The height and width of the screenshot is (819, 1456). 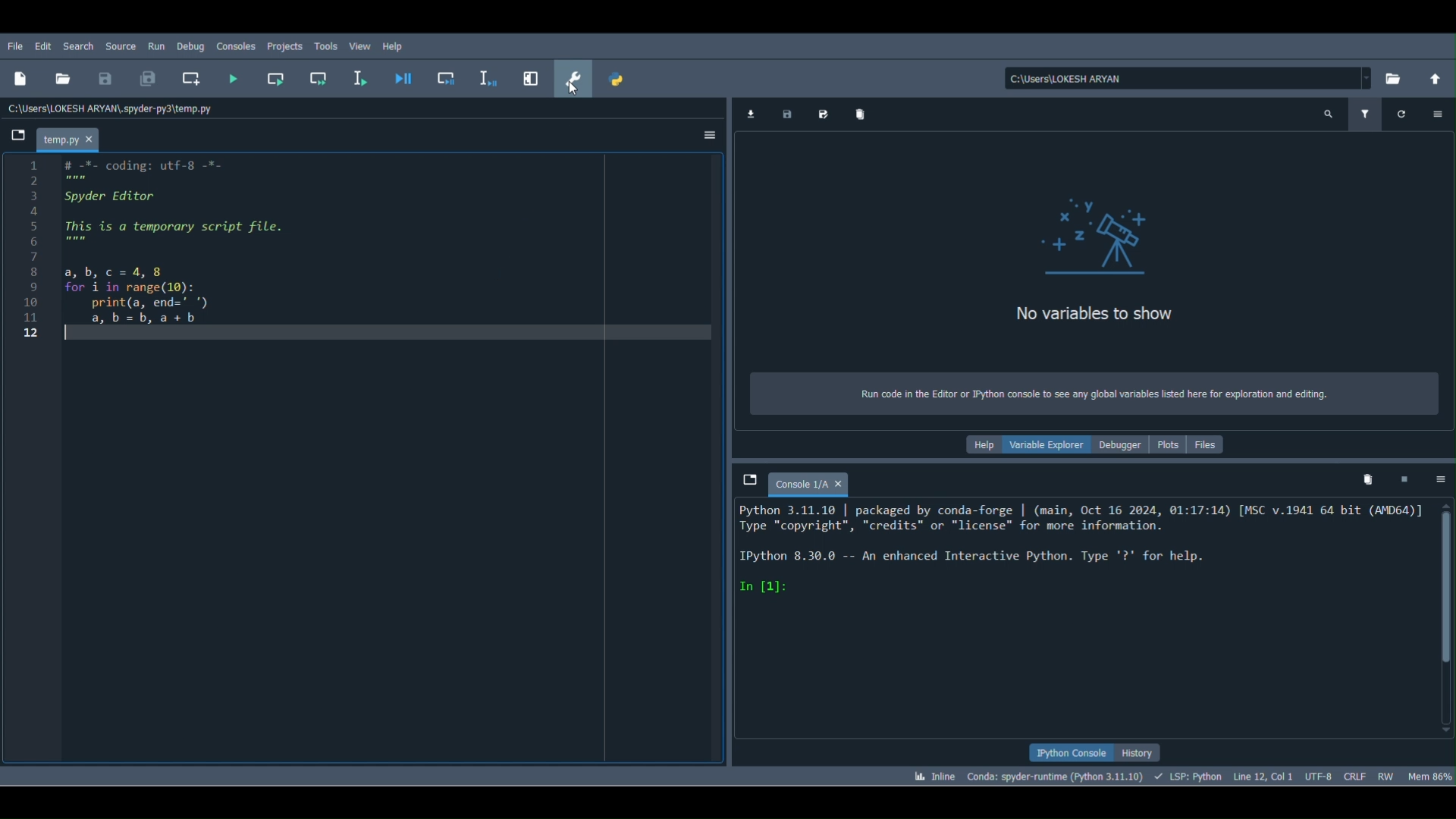 What do you see at coordinates (366, 78) in the screenshot?
I see `Run selection or current line (F9)` at bounding box center [366, 78].